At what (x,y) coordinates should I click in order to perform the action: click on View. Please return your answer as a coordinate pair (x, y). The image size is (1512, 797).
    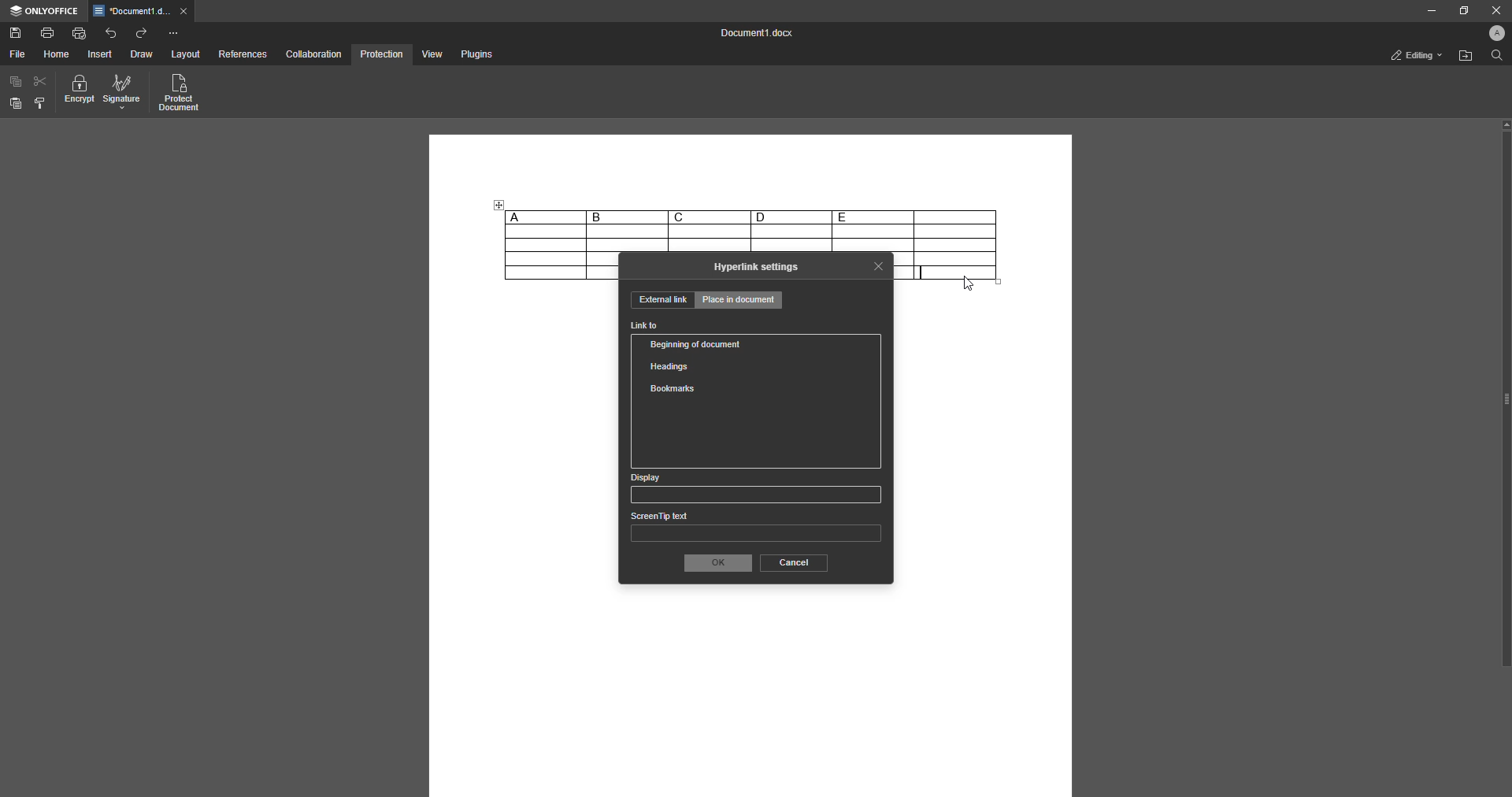
    Looking at the image, I should click on (430, 55).